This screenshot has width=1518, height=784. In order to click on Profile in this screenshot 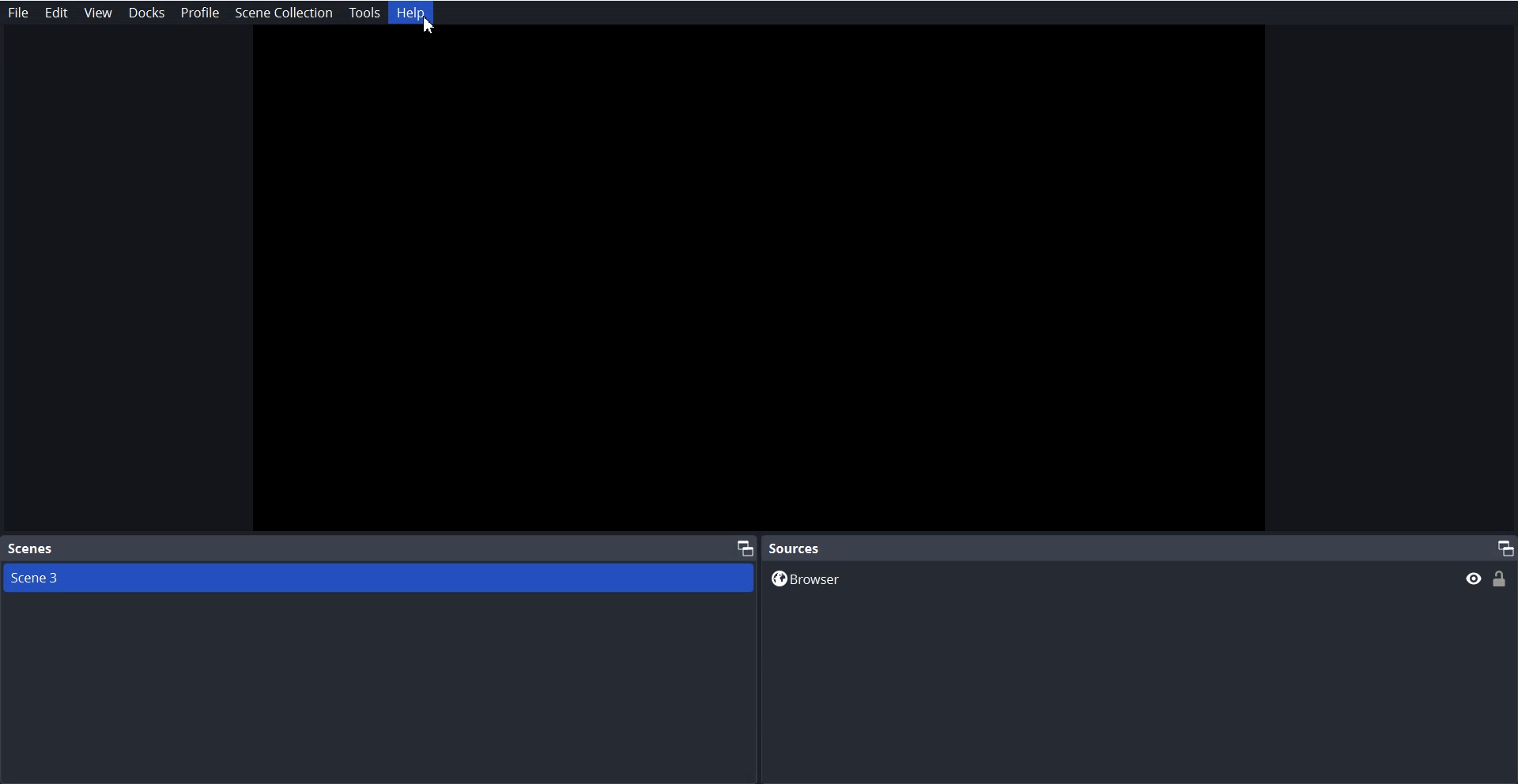, I will do `click(198, 13)`.